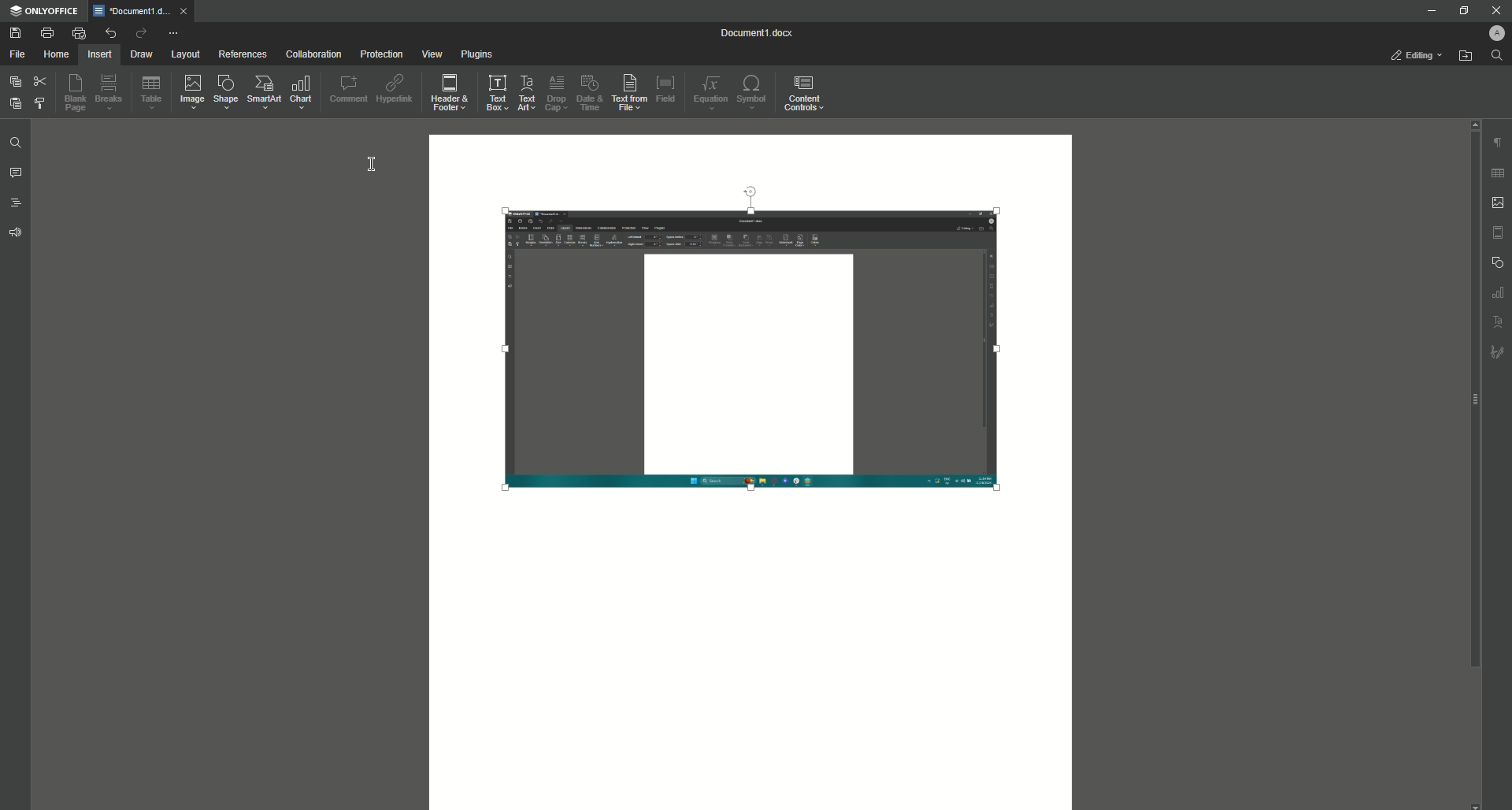 The height and width of the screenshot is (810, 1512). What do you see at coordinates (302, 93) in the screenshot?
I see `Chart` at bounding box center [302, 93].